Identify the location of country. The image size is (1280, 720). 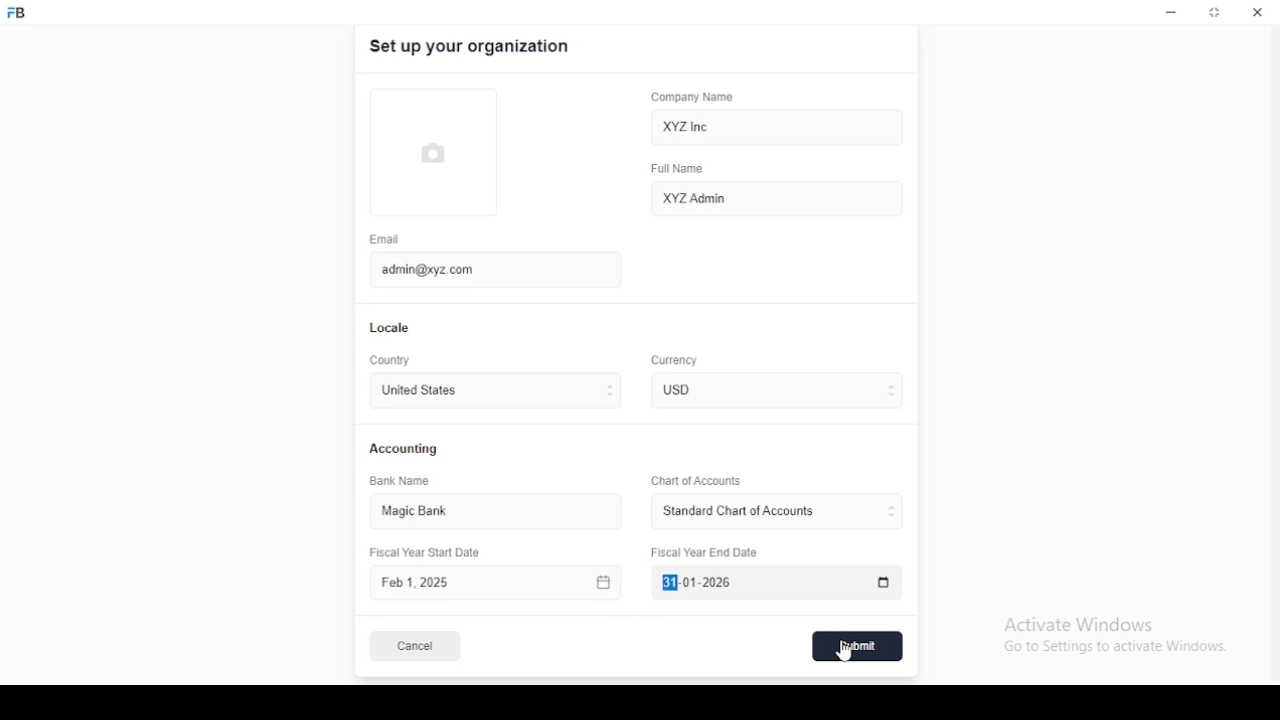
(392, 361).